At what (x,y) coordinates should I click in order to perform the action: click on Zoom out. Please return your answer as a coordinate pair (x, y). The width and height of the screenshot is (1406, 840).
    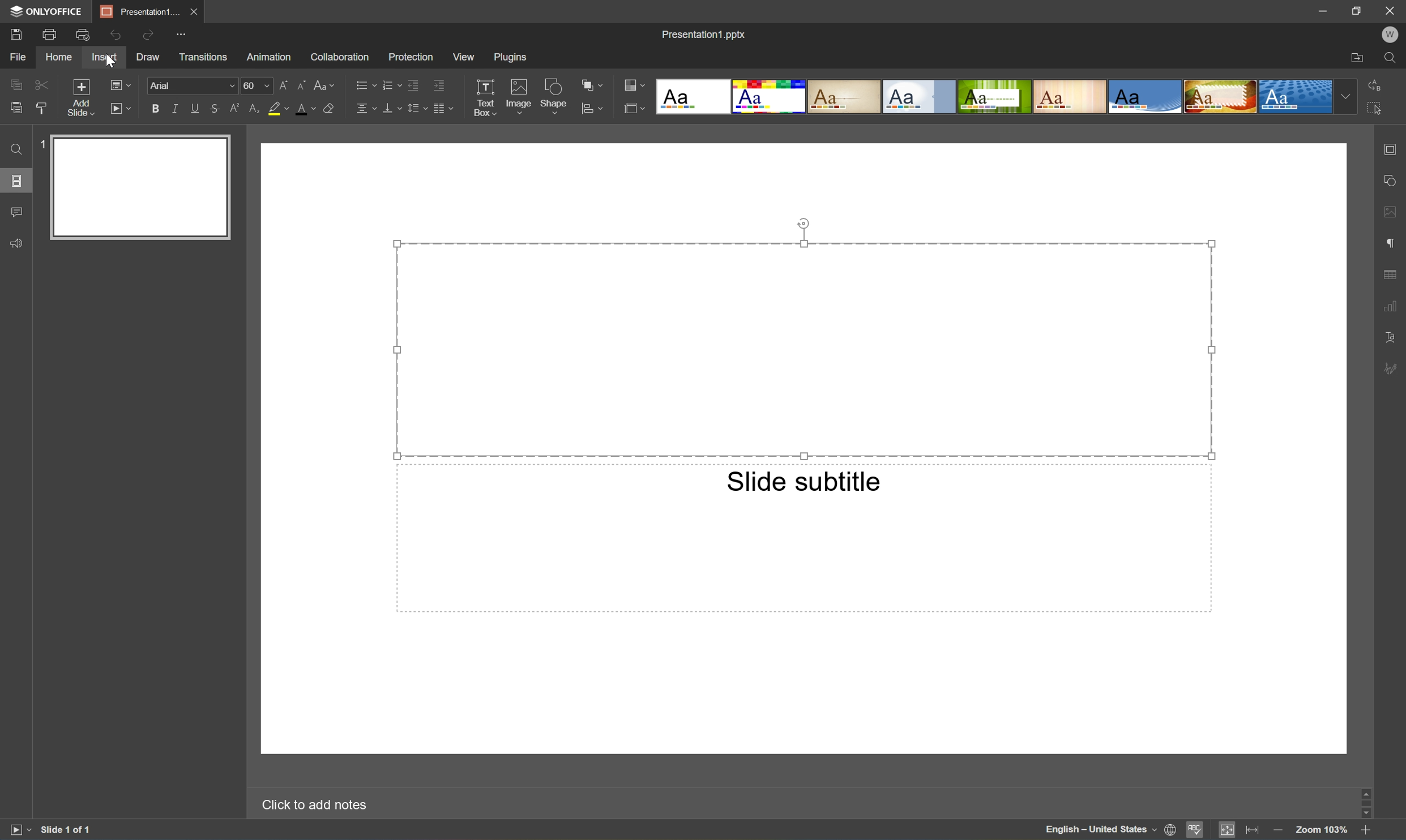
    Looking at the image, I should click on (1277, 833).